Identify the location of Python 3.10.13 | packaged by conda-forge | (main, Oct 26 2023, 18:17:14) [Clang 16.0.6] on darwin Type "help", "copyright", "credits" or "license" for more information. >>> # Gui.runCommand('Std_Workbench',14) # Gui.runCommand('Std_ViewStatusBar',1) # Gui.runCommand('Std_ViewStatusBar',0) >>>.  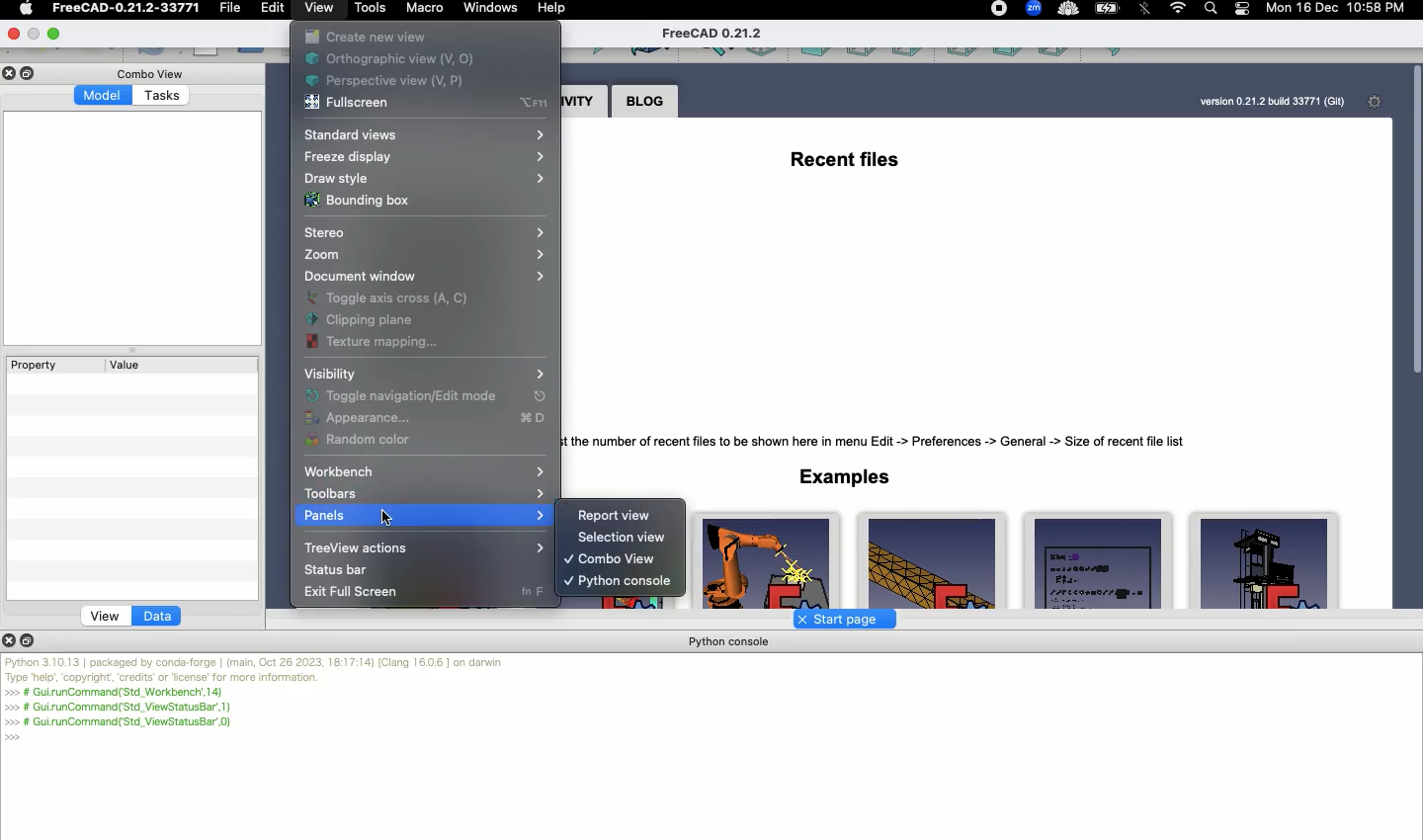
(257, 700).